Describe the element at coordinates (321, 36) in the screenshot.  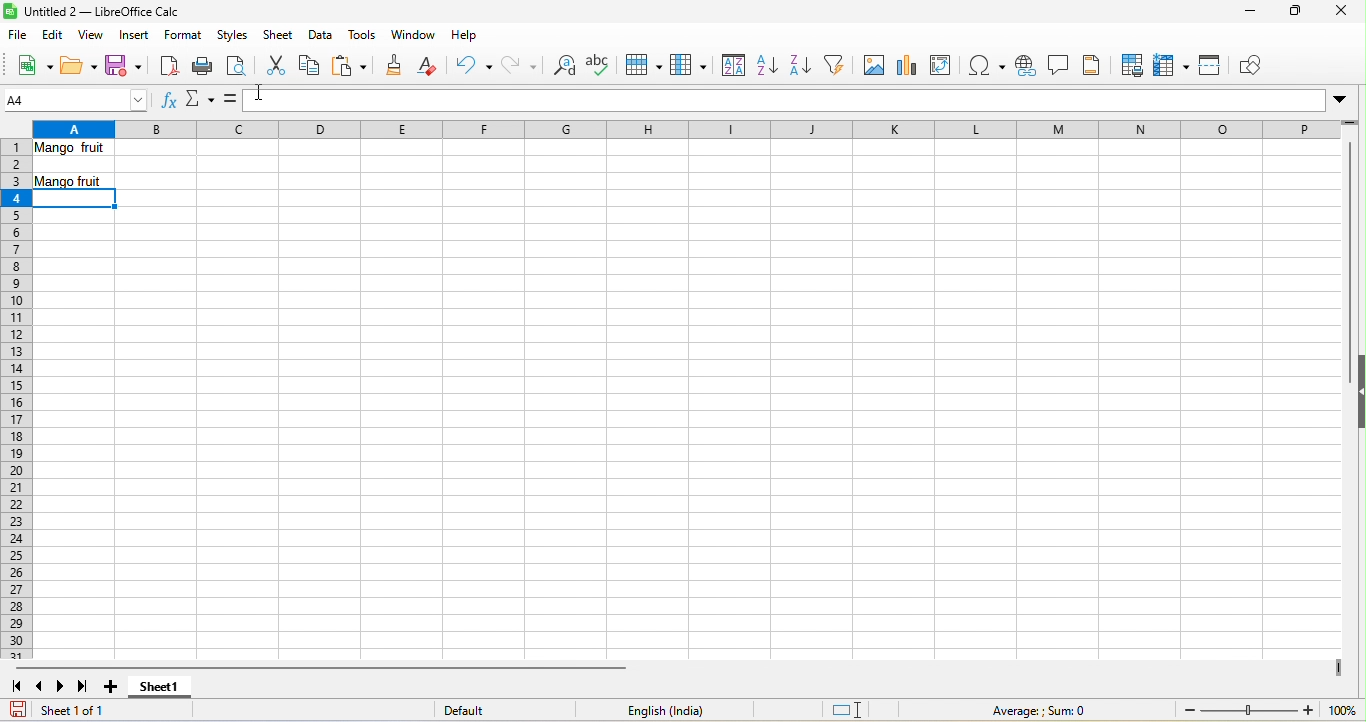
I see `data` at that location.